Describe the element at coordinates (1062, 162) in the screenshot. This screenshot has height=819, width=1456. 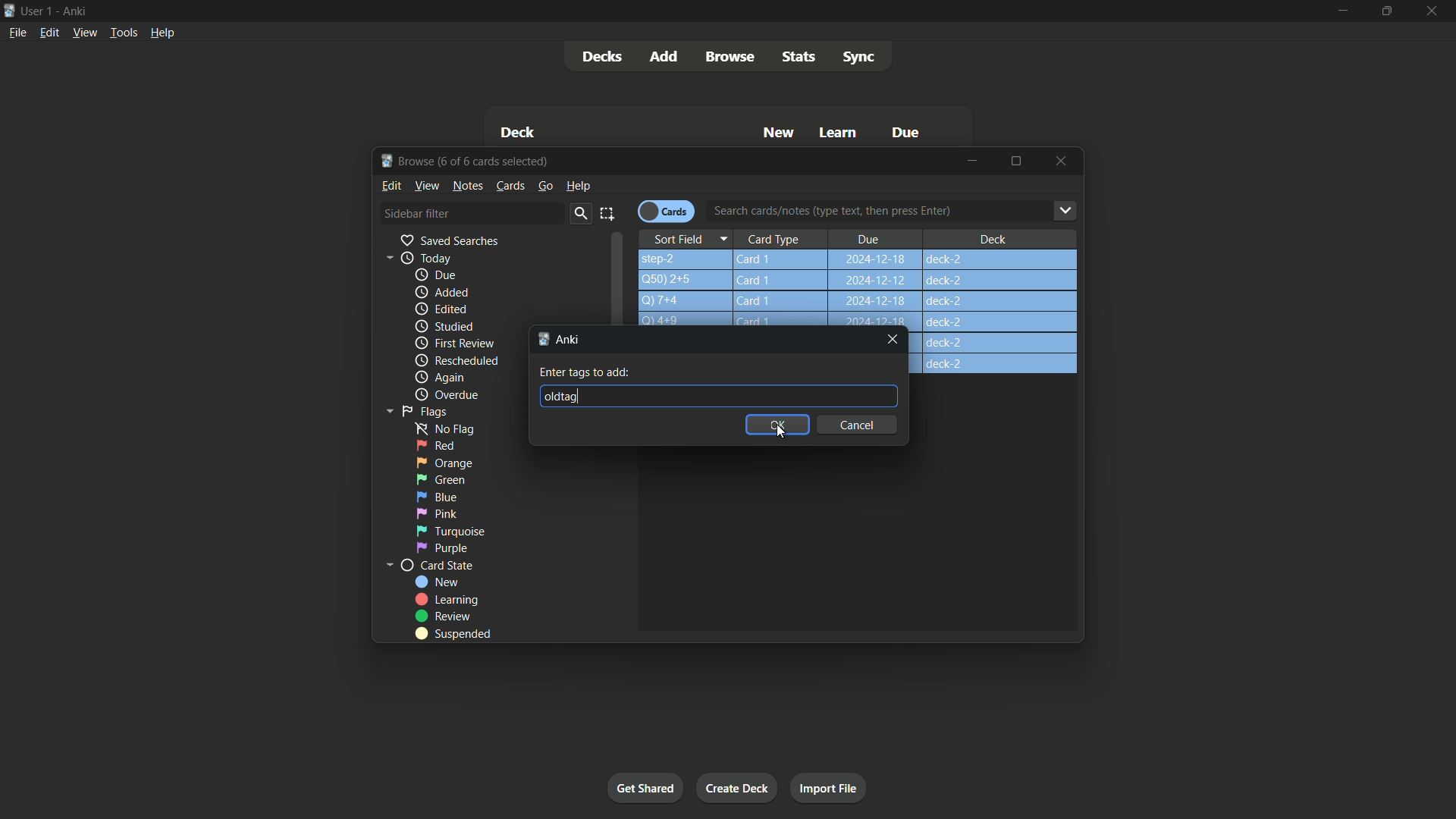
I see `Close browse` at that location.